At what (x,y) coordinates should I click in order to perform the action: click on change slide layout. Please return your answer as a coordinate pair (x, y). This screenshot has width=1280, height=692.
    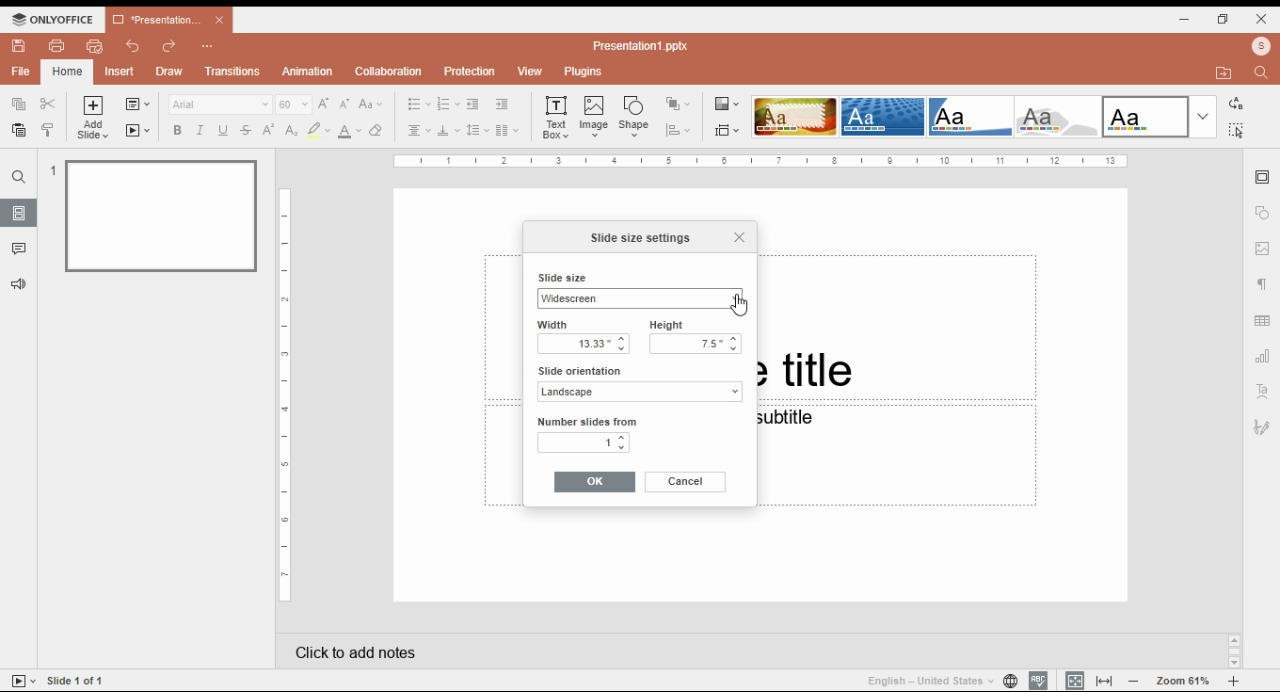
    Looking at the image, I should click on (137, 104).